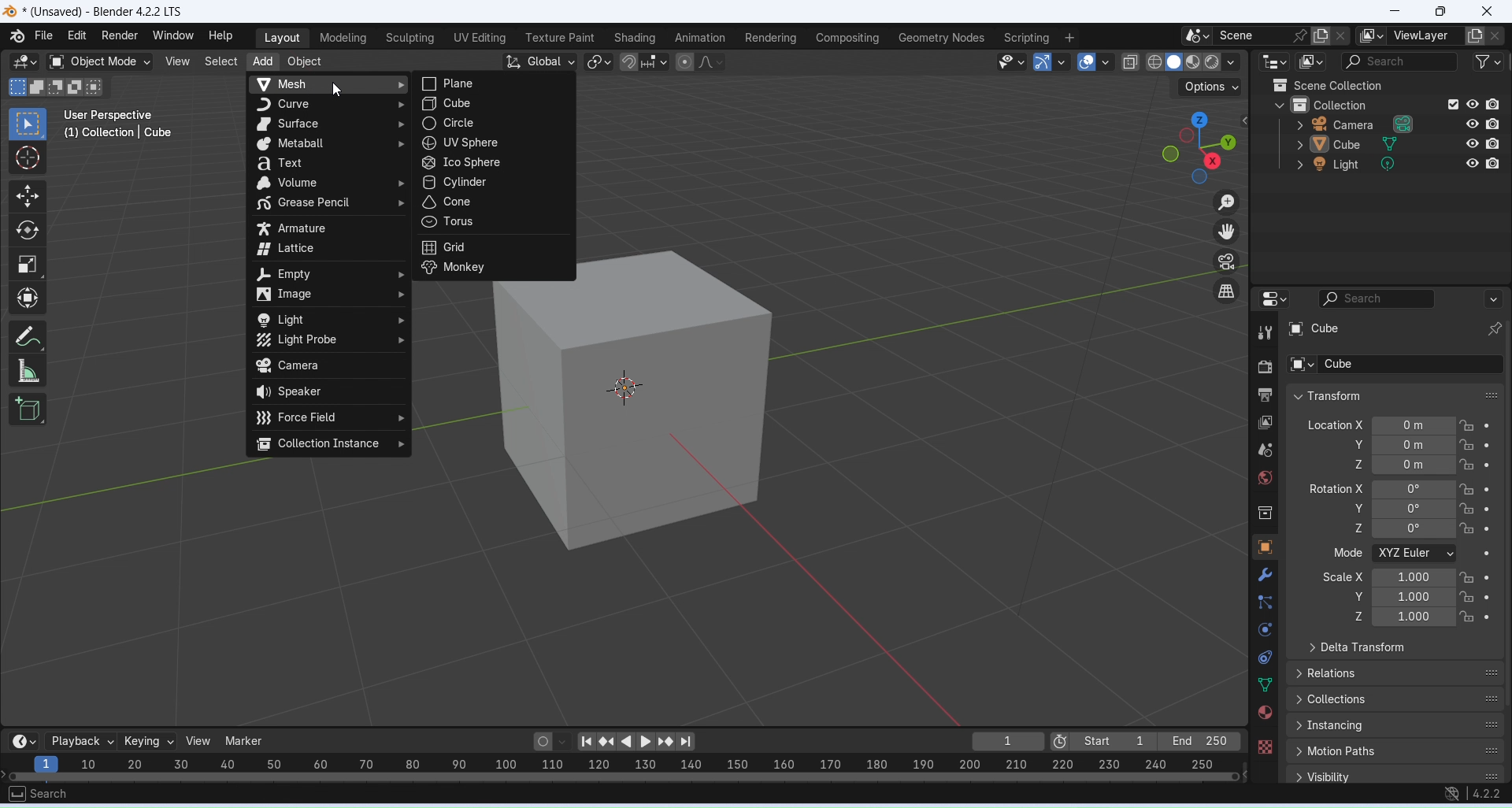  What do you see at coordinates (1498, 35) in the screenshot?
I see `close layer` at bounding box center [1498, 35].